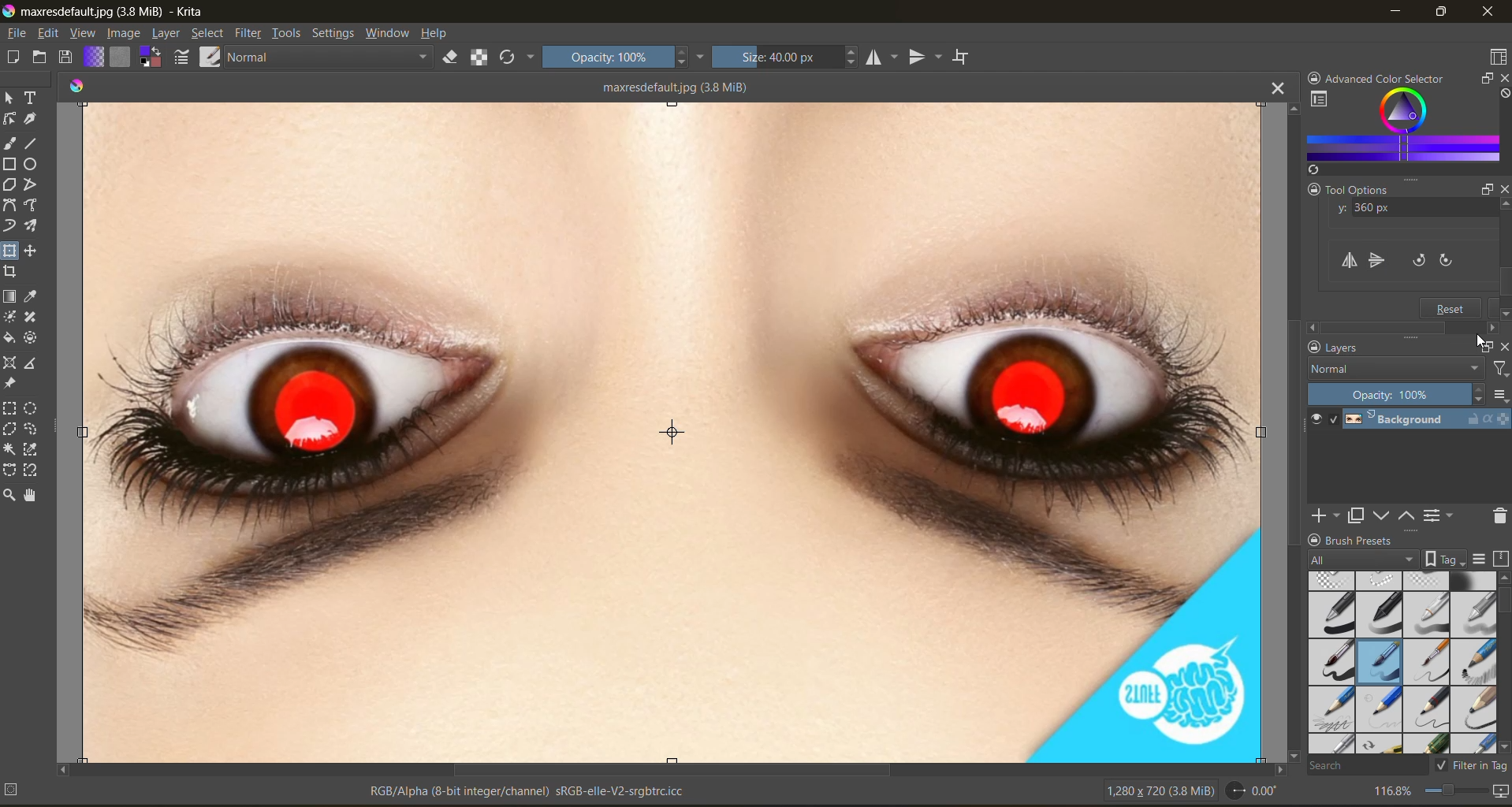  What do you see at coordinates (151, 57) in the screenshot?
I see `swap foreground background color` at bounding box center [151, 57].